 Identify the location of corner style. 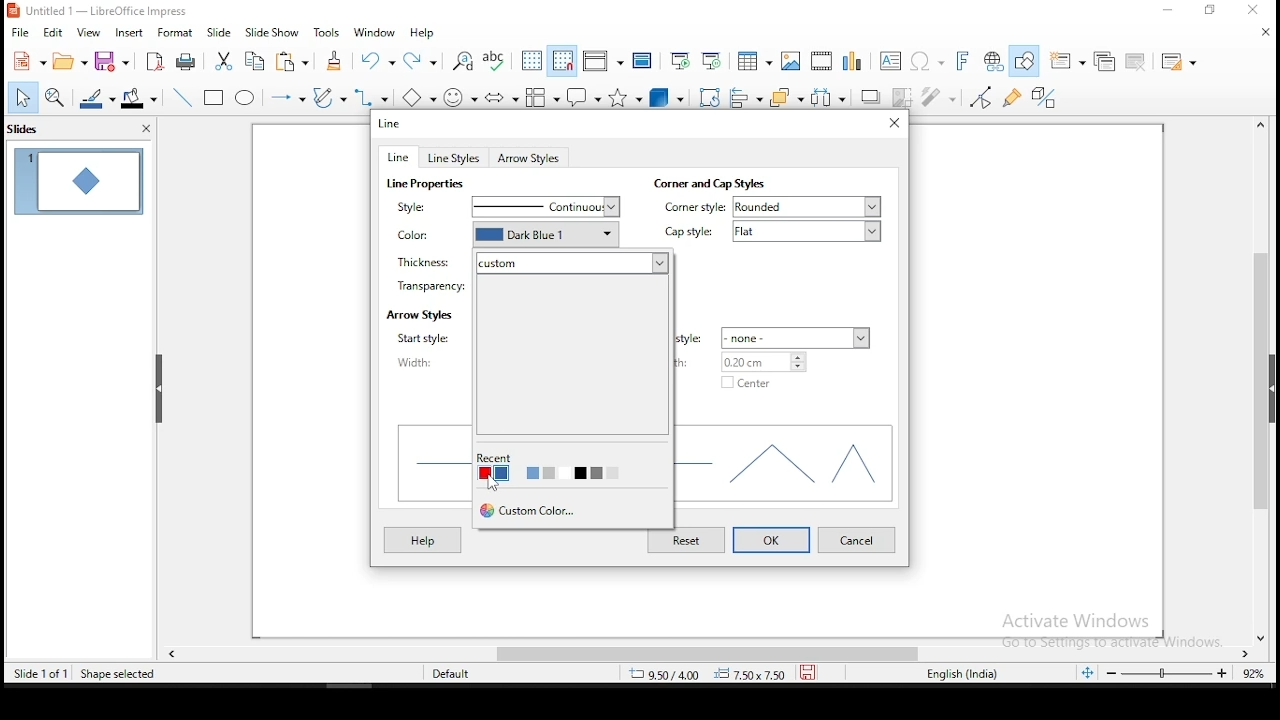
(694, 207).